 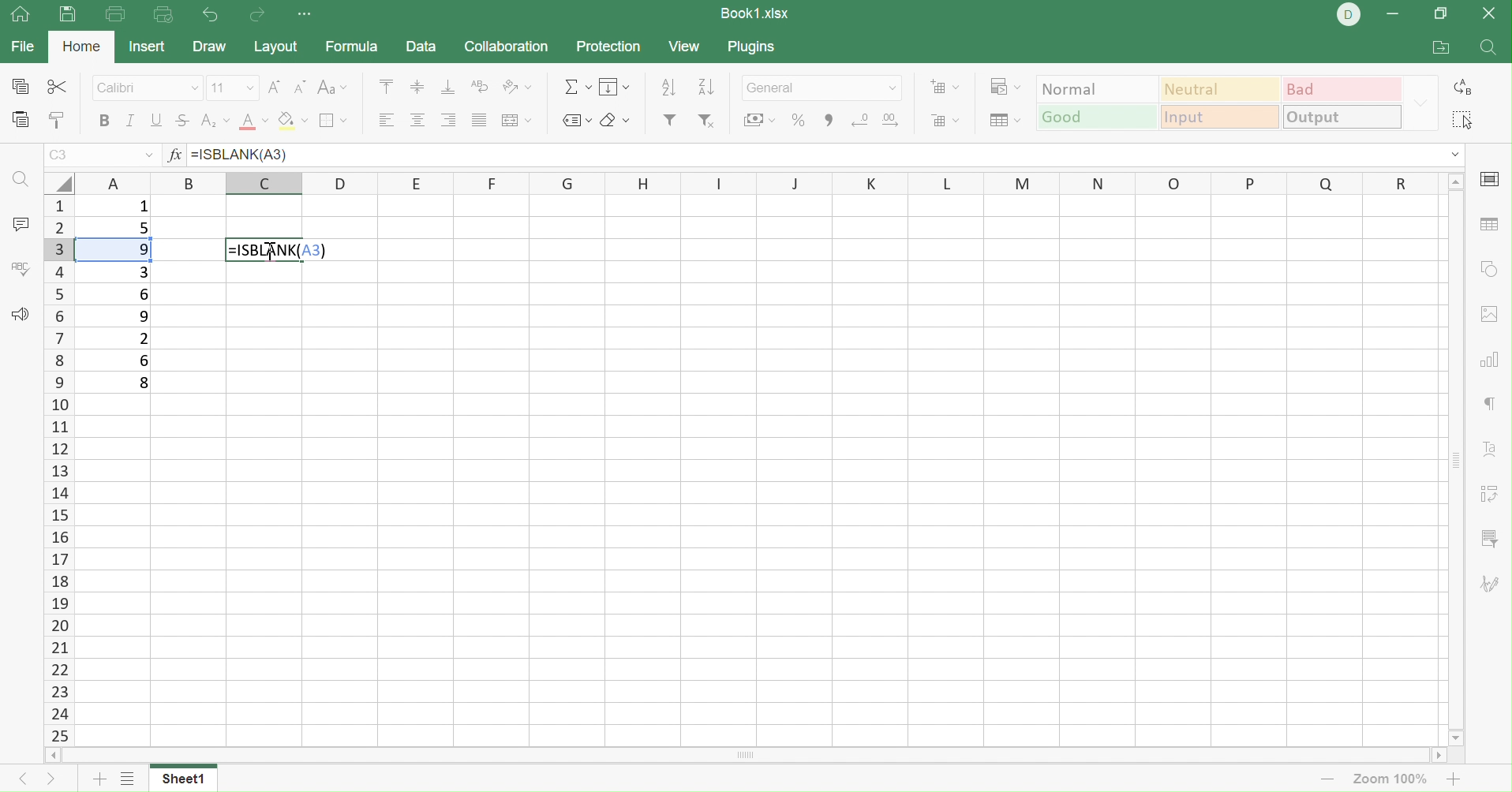 I want to click on Paste, so click(x=22, y=119).